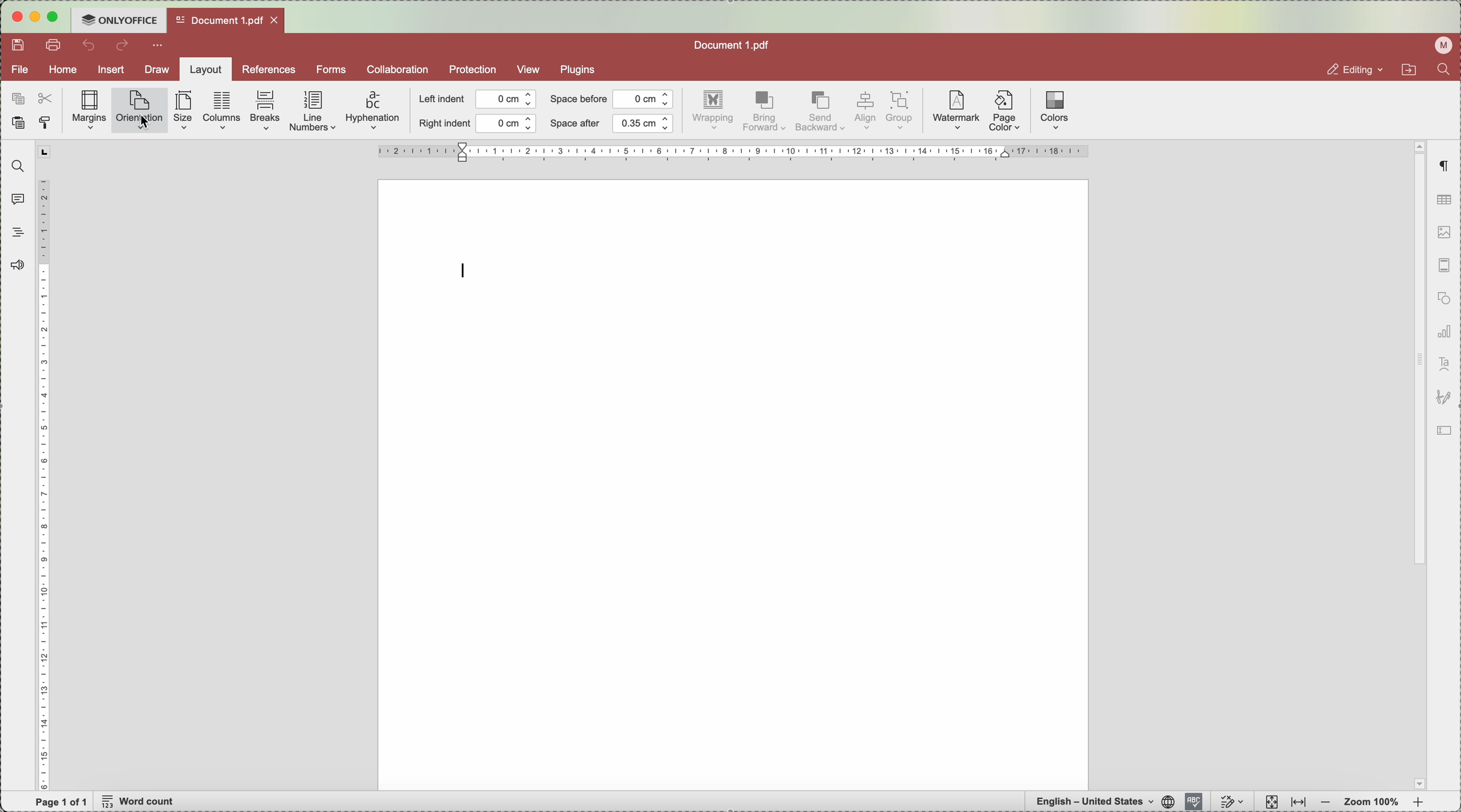 This screenshot has width=1461, height=812. Describe the element at coordinates (90, 111) in the screenshot. I see `margins` at that location.